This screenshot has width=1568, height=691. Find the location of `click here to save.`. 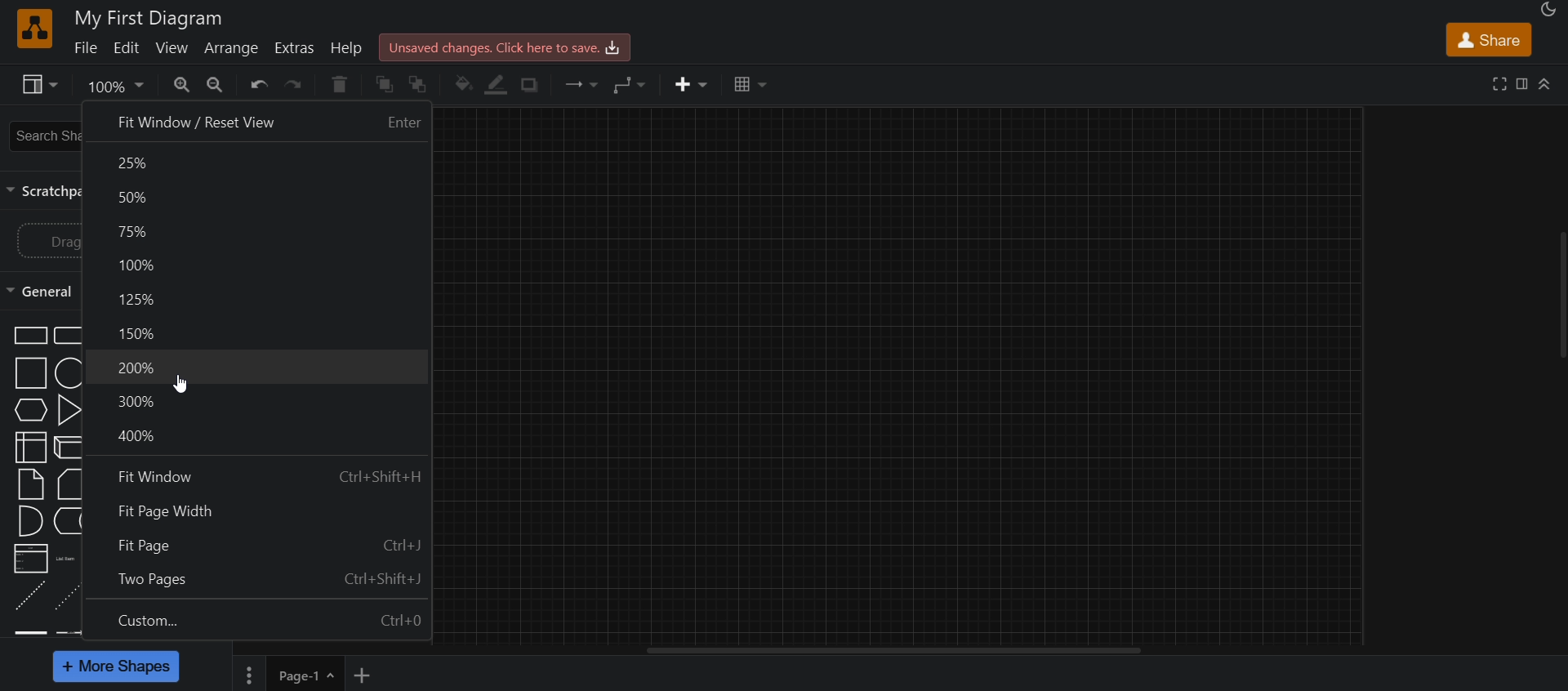

click here to save. is located at coordinates (510, 46).